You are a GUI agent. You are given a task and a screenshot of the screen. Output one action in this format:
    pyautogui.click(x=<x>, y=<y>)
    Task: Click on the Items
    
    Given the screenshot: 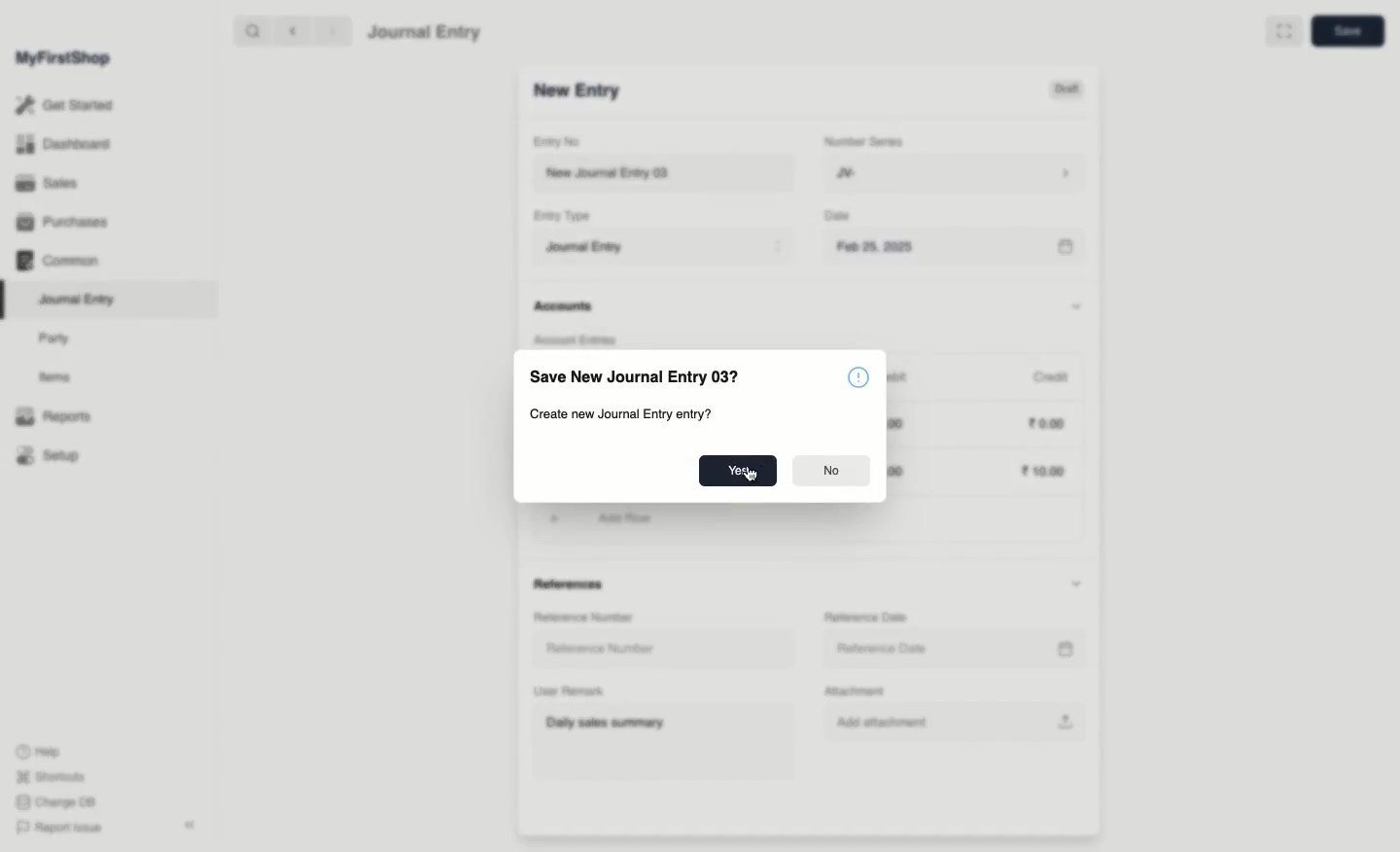 What is the action you would take?
    pyautogui.click(x=60, y=377)
    